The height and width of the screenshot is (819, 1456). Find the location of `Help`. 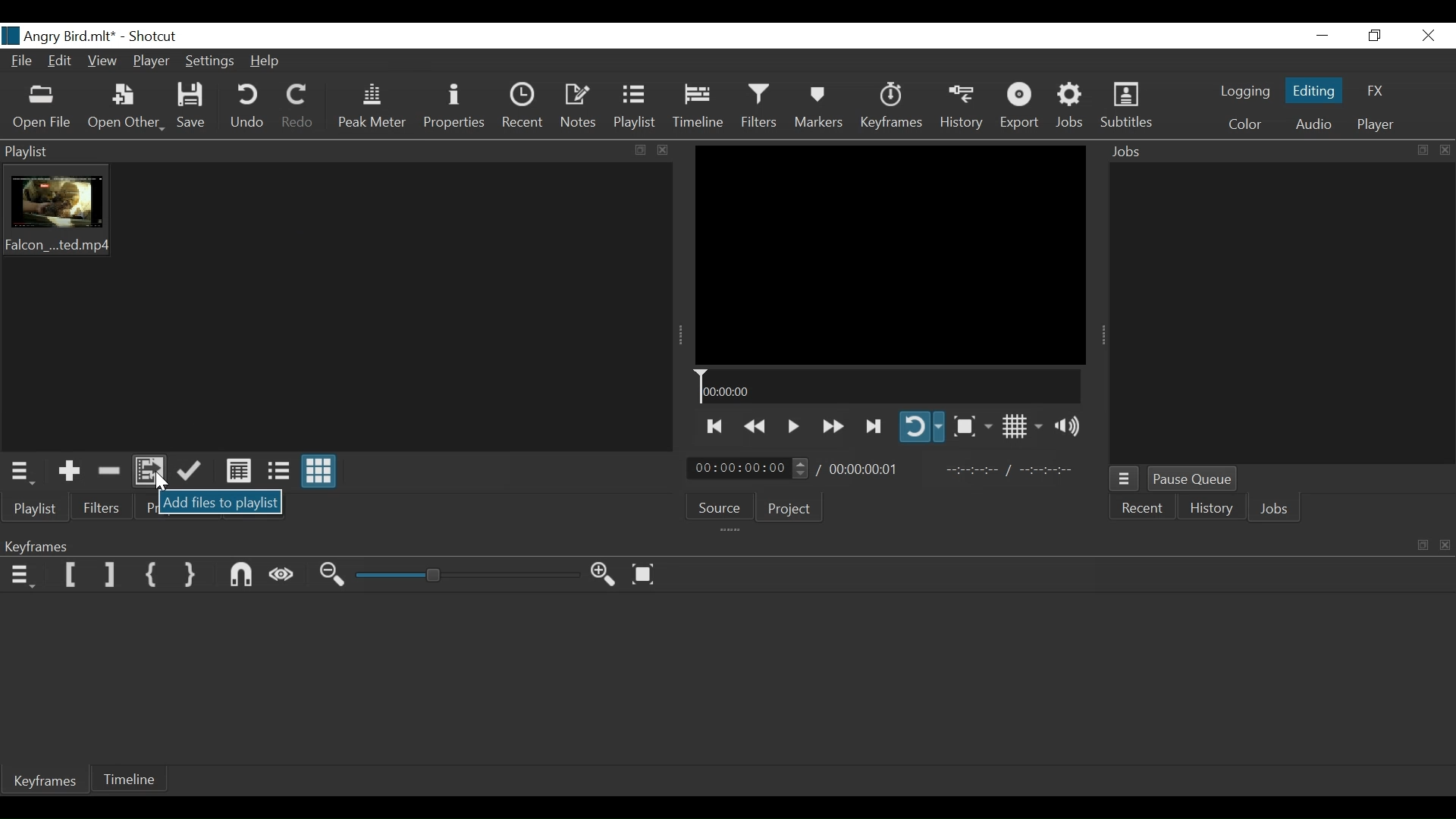

Help is located at coordinates (269, 62).